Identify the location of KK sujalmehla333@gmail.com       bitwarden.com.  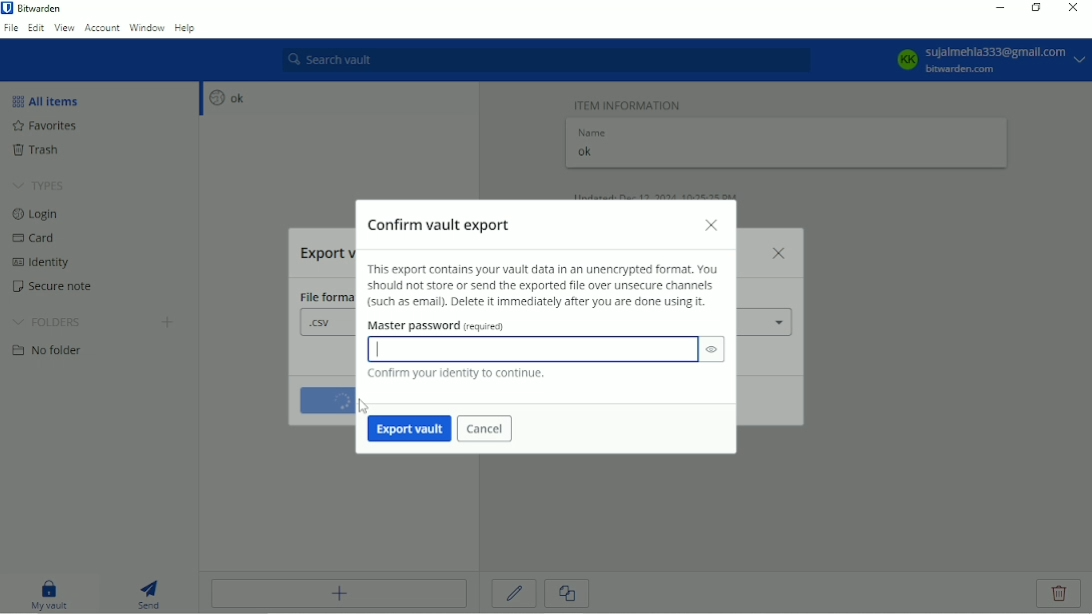
(988, 60).